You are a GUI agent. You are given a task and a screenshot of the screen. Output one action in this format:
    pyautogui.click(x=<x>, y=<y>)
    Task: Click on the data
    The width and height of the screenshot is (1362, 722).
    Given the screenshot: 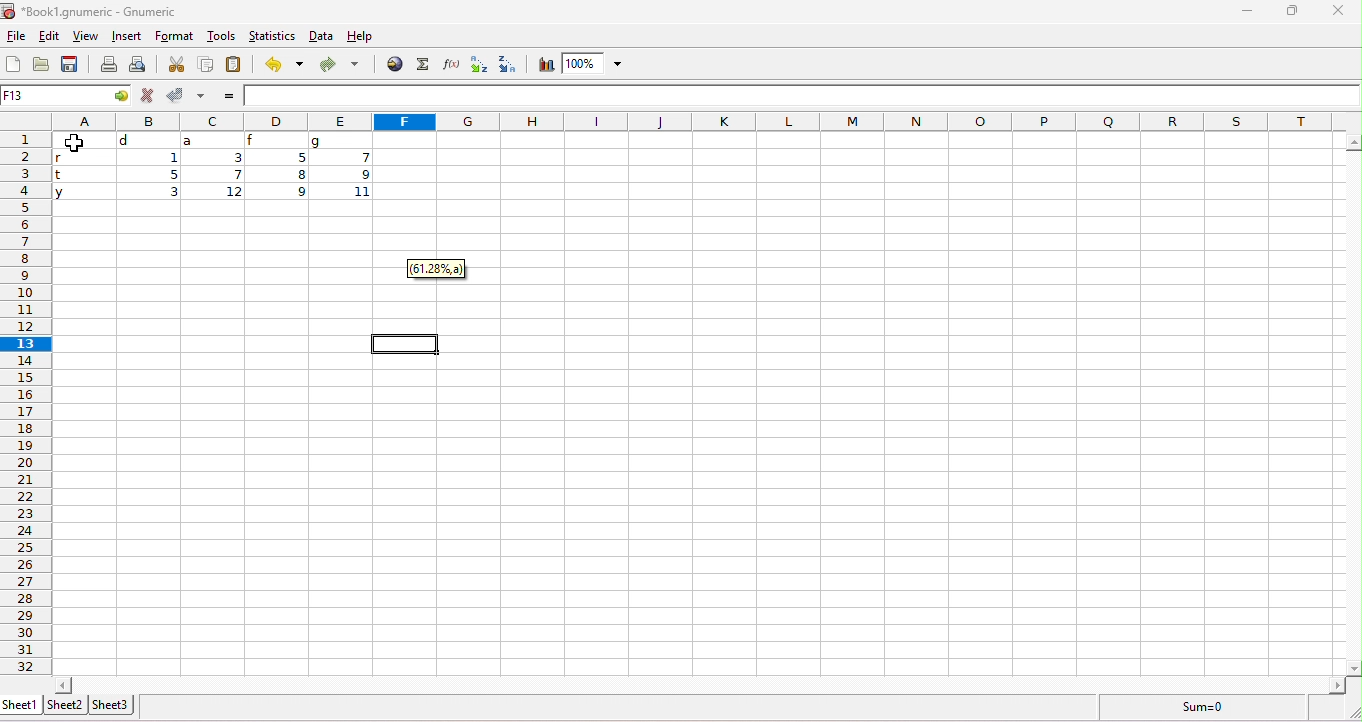 What is the action you would take?
    pyautogui.click(x=320, y=36)
    